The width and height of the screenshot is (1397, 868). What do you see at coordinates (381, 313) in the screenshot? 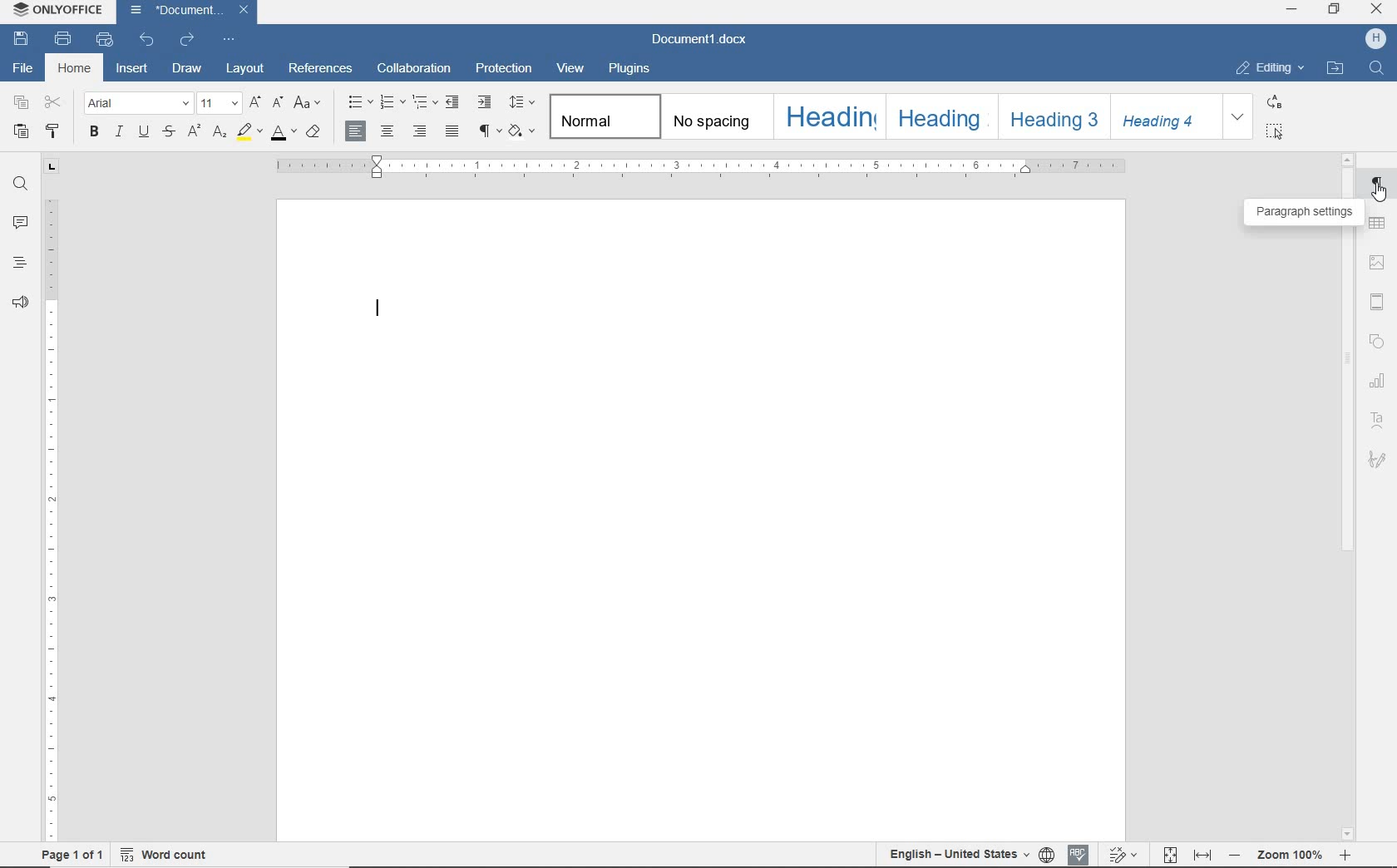
I see `Text cursor` at bounding box center [381, 313].